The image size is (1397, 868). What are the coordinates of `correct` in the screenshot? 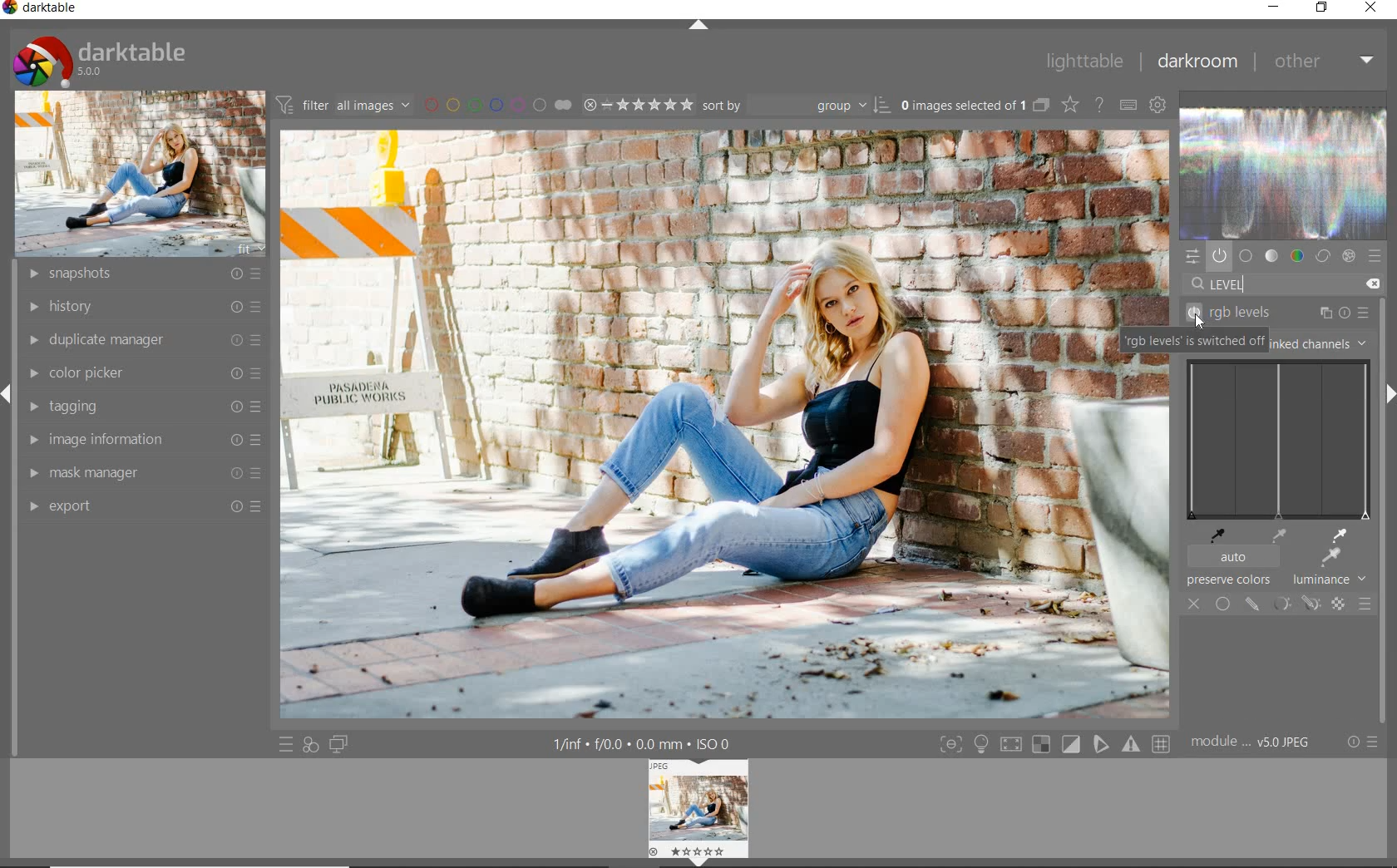 It's located at (1323, 255).